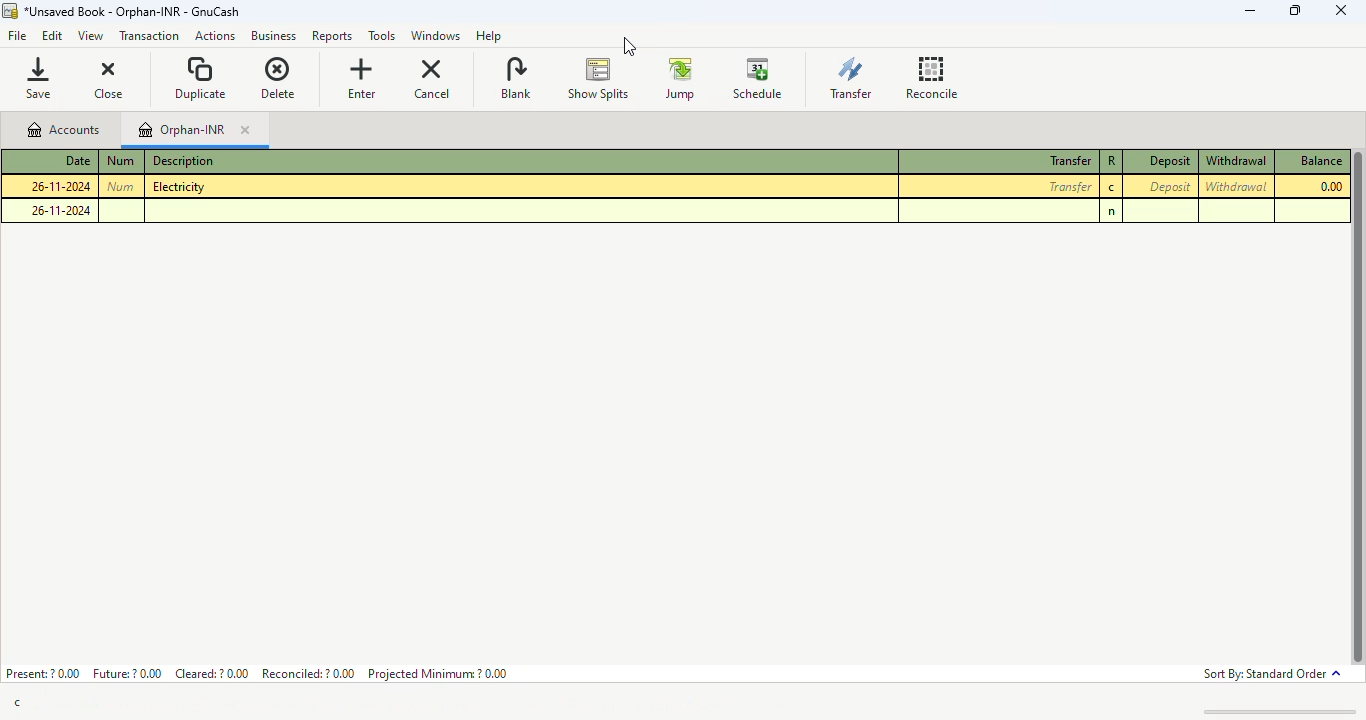  Describe the element at coordinates (437, 673) in the screenshot. I see `projected minimum: ? 0.00` at that location.